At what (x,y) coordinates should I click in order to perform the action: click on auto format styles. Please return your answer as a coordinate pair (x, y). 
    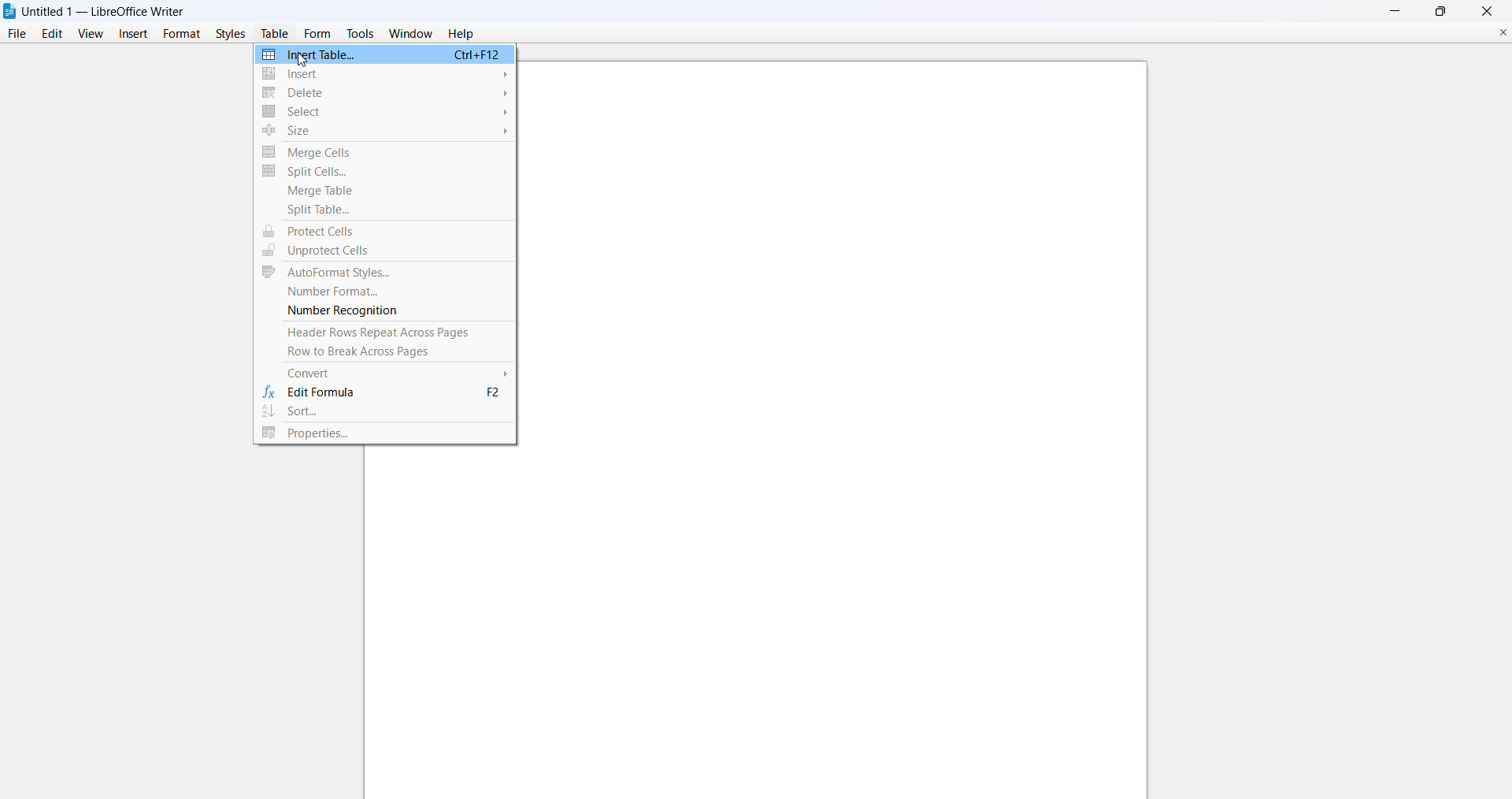
    Looking at the image, I should click on (383, 273).